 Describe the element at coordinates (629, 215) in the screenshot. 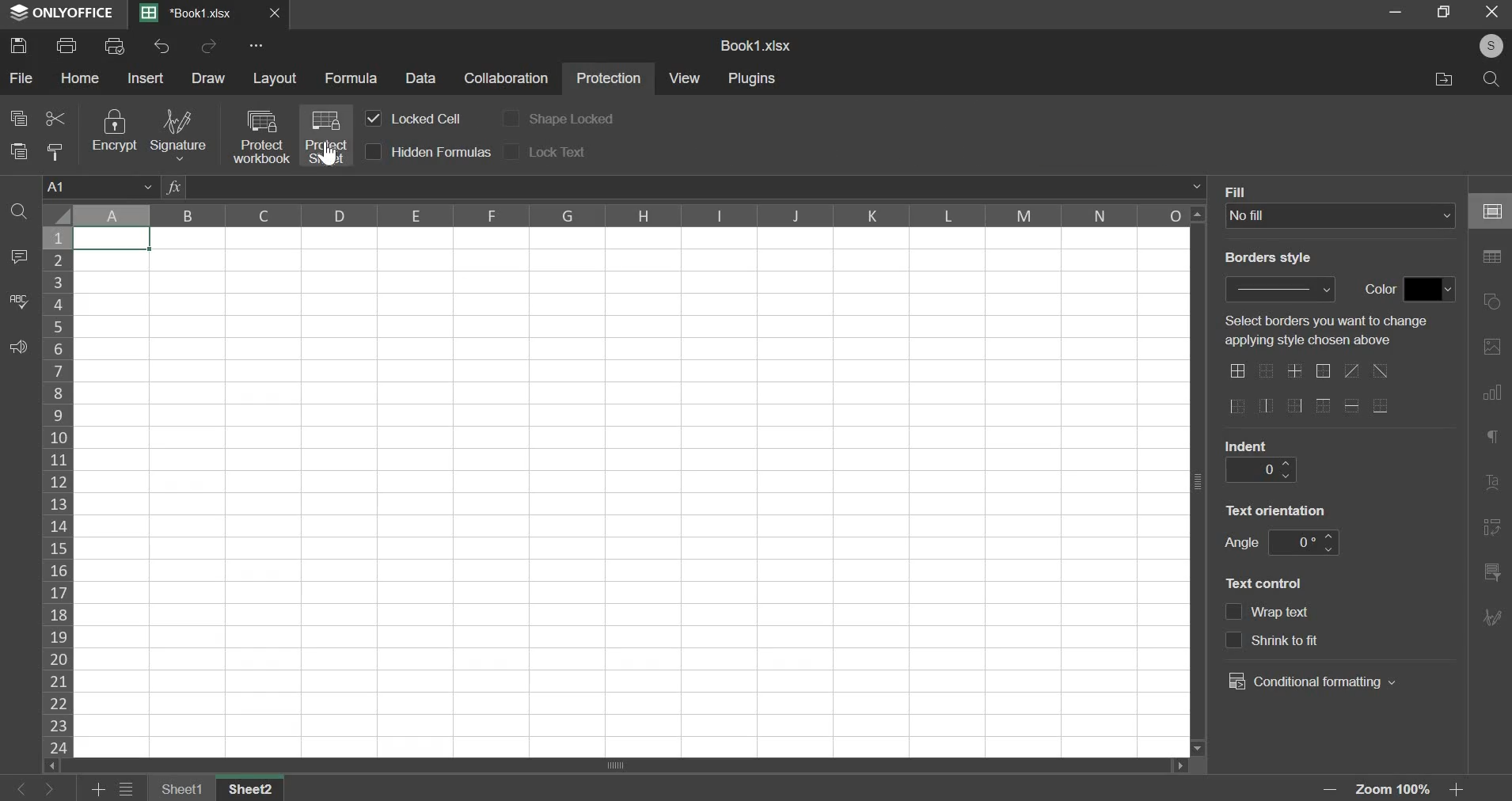

I see `column` at that location.